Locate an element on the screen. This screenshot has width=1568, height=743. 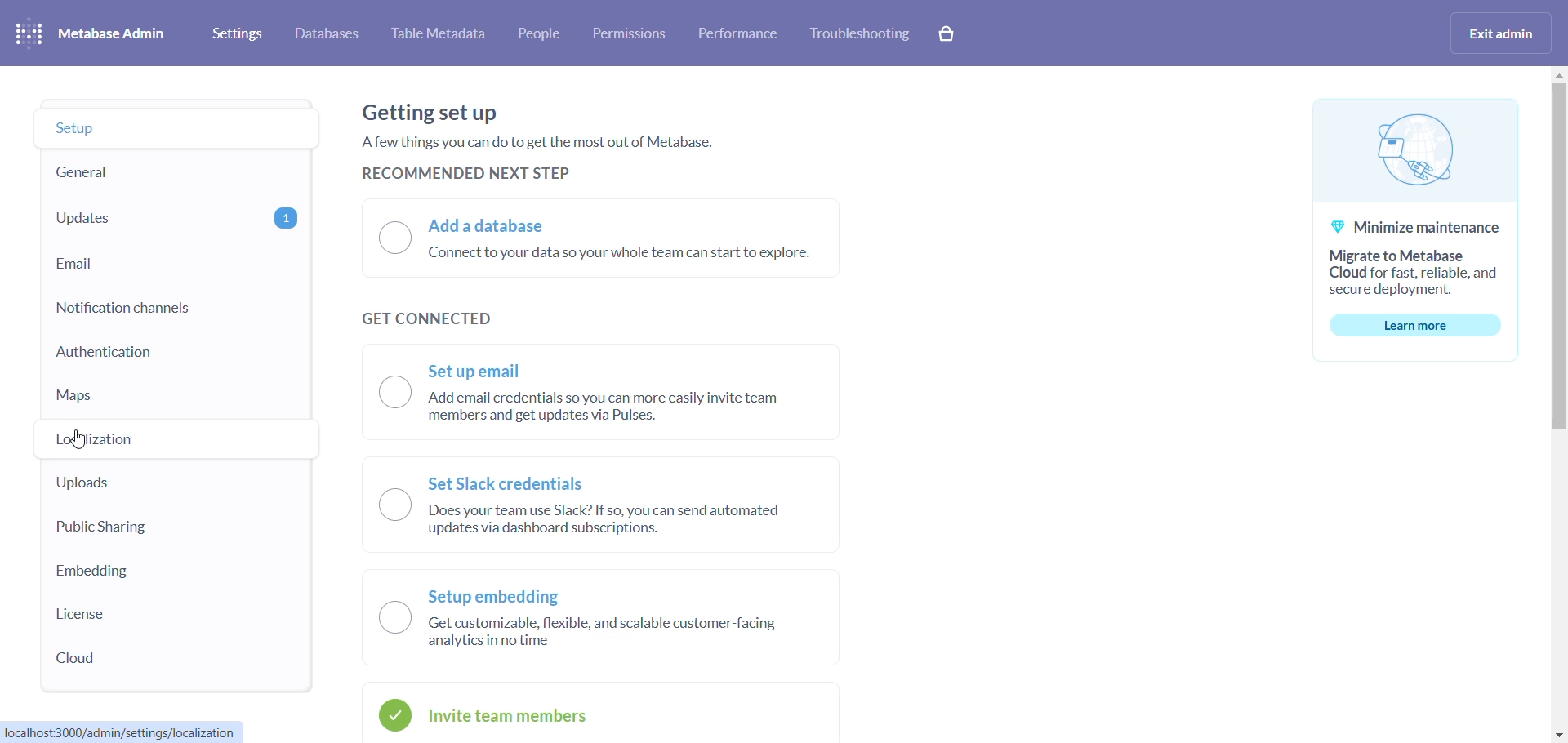
localization is located at coordinates (182, 439).